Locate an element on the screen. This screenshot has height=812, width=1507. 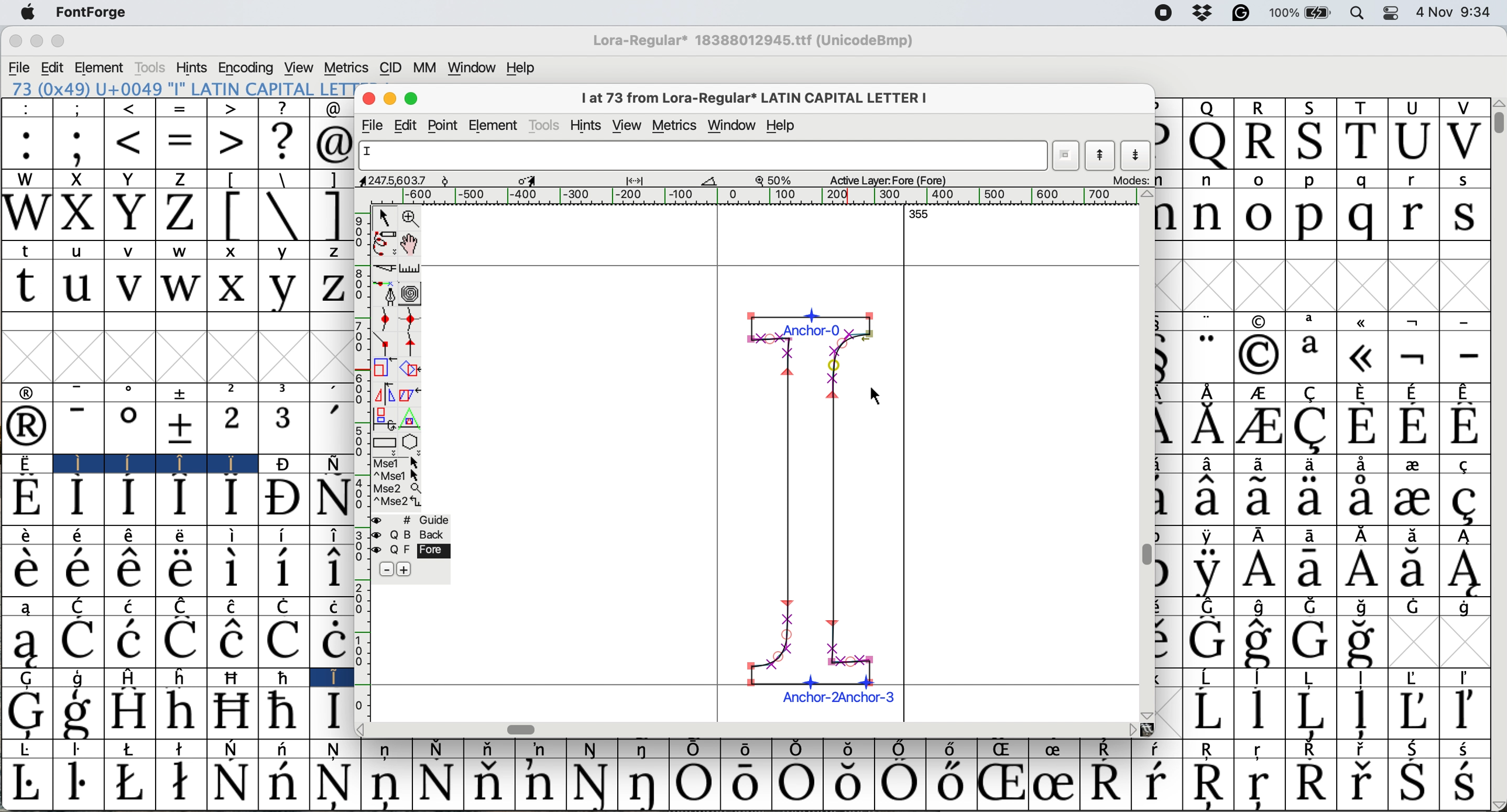
Symbol is located at coordinates (793, 785).